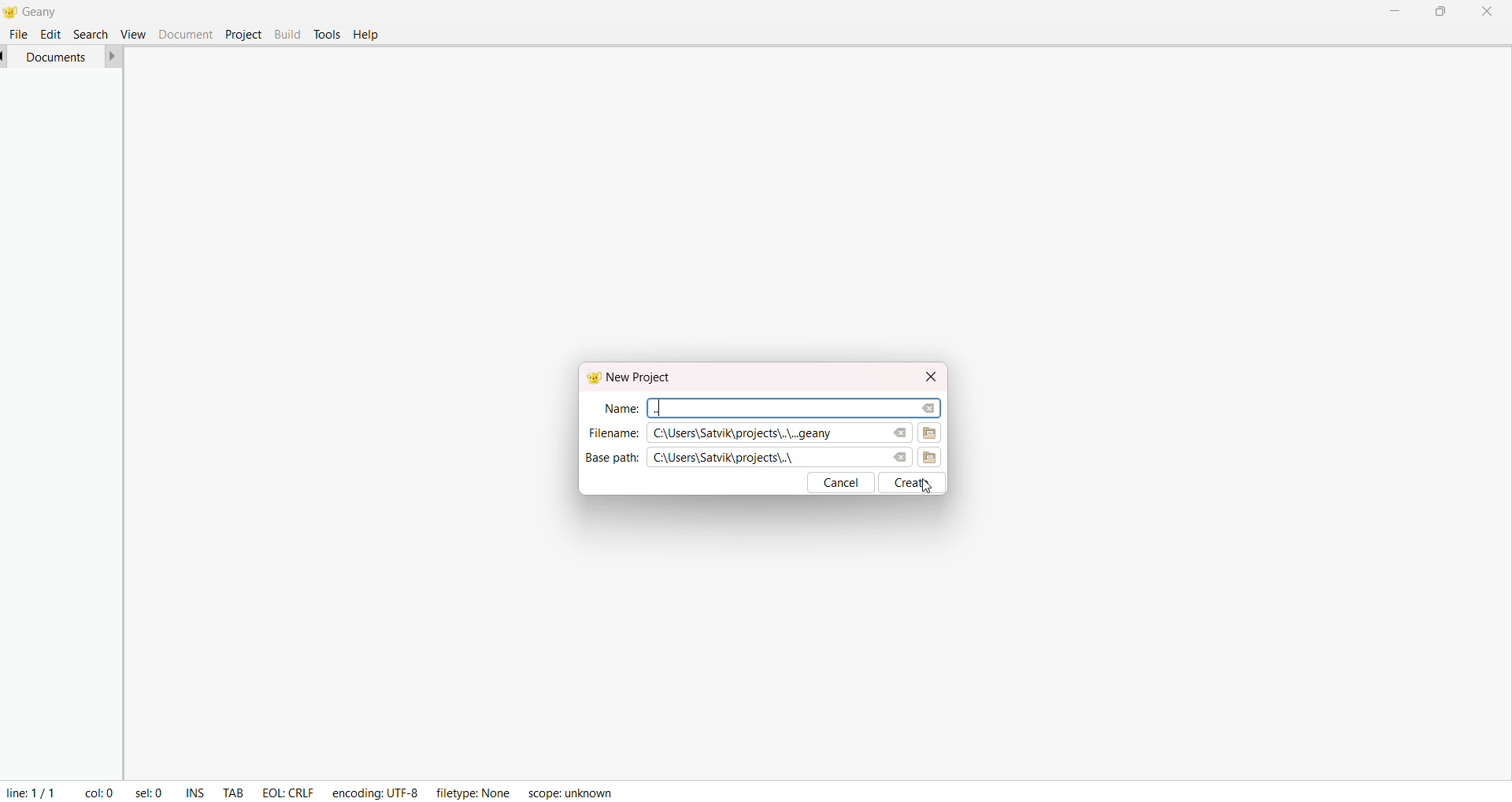 This screenshot has height=802, width=1512. What do you see at coordinates (470, 790) in the screenshot?
I see `filetype: None` at bounding box center [470, 790].